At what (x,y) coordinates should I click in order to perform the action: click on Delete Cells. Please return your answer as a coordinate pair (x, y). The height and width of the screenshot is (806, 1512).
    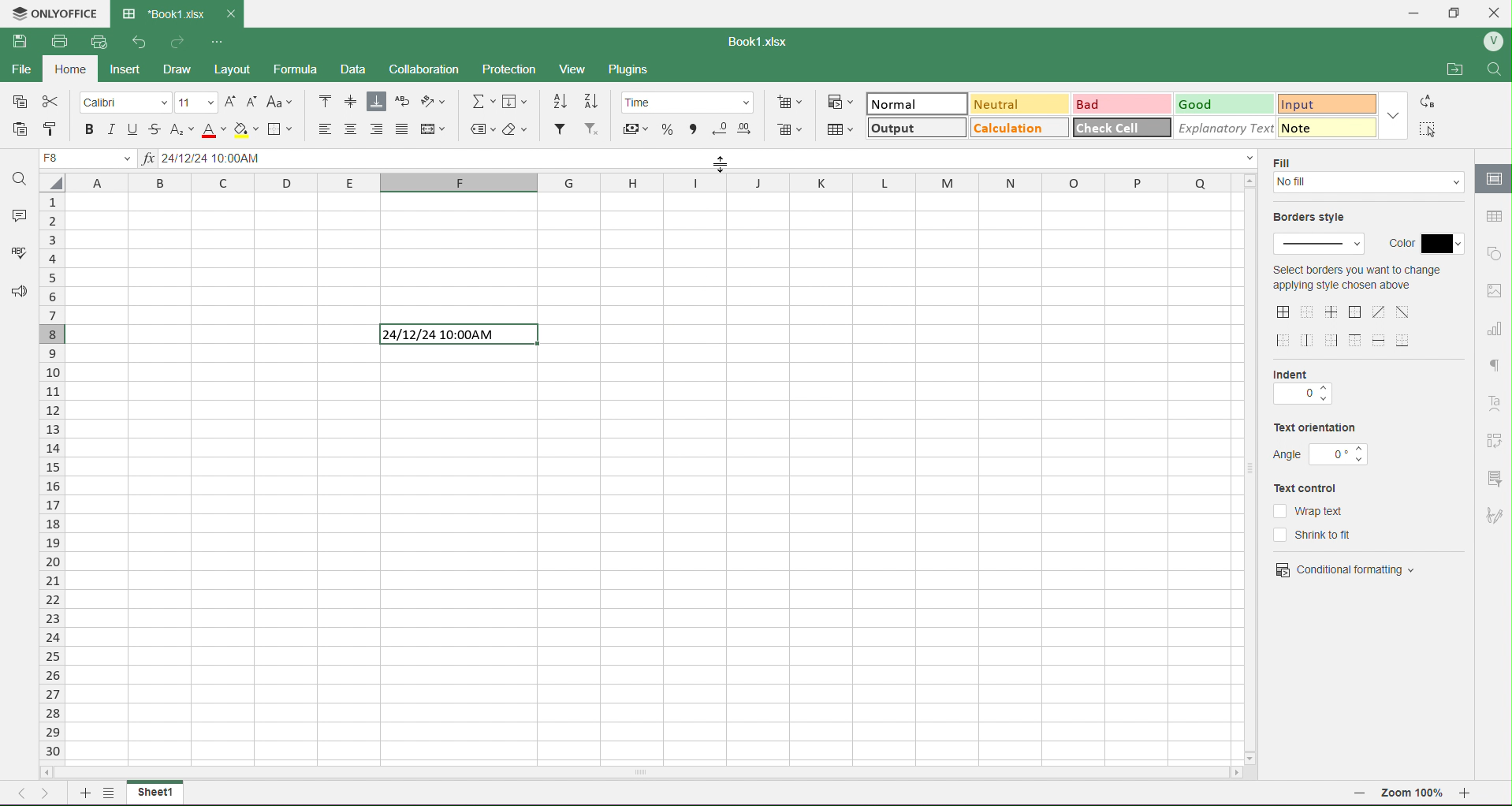
    Looking at the image, I should click on (791, 130).